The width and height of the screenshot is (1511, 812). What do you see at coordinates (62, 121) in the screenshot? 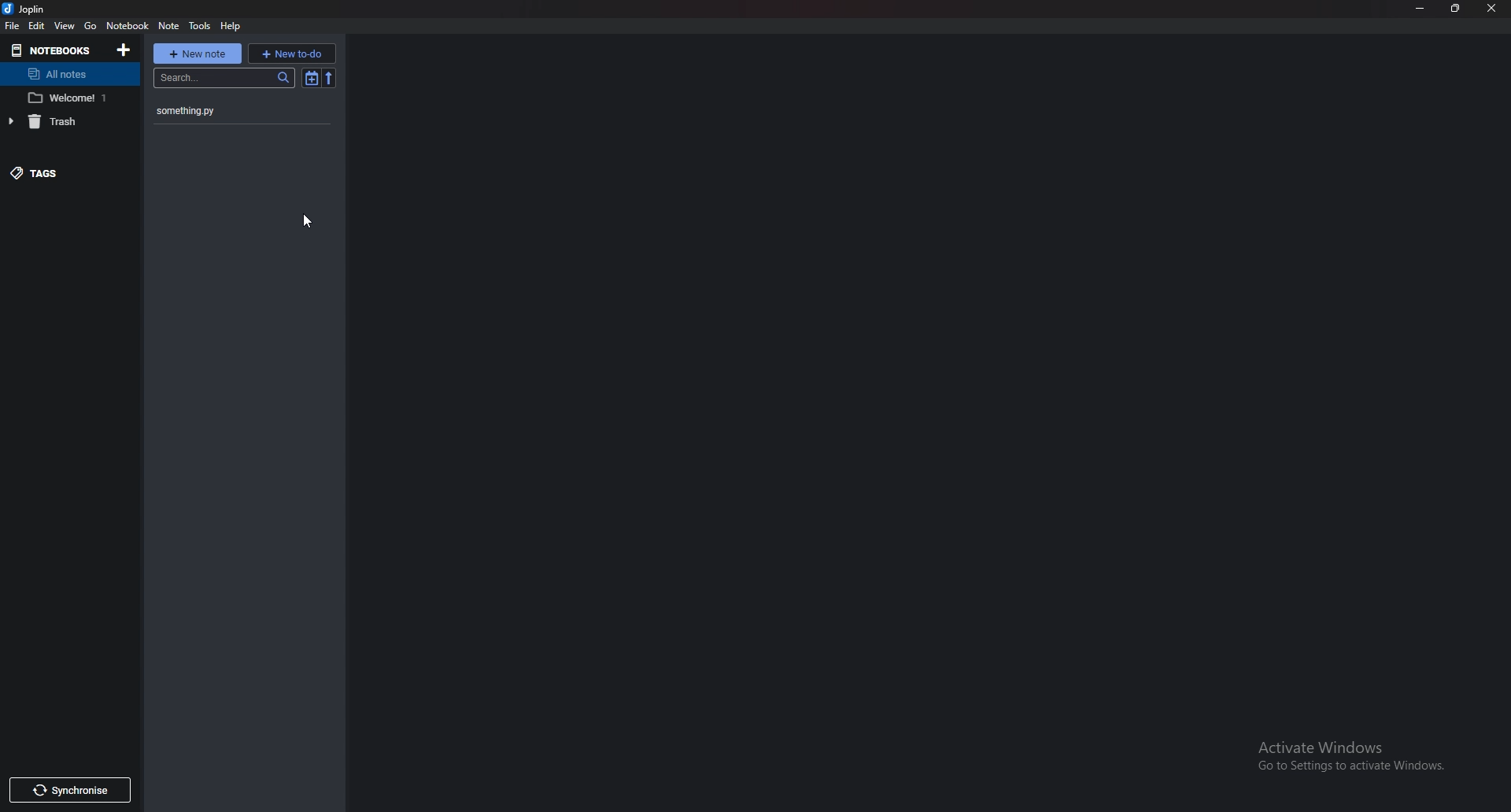
I see `Trash` at bounding box center [62, 121].